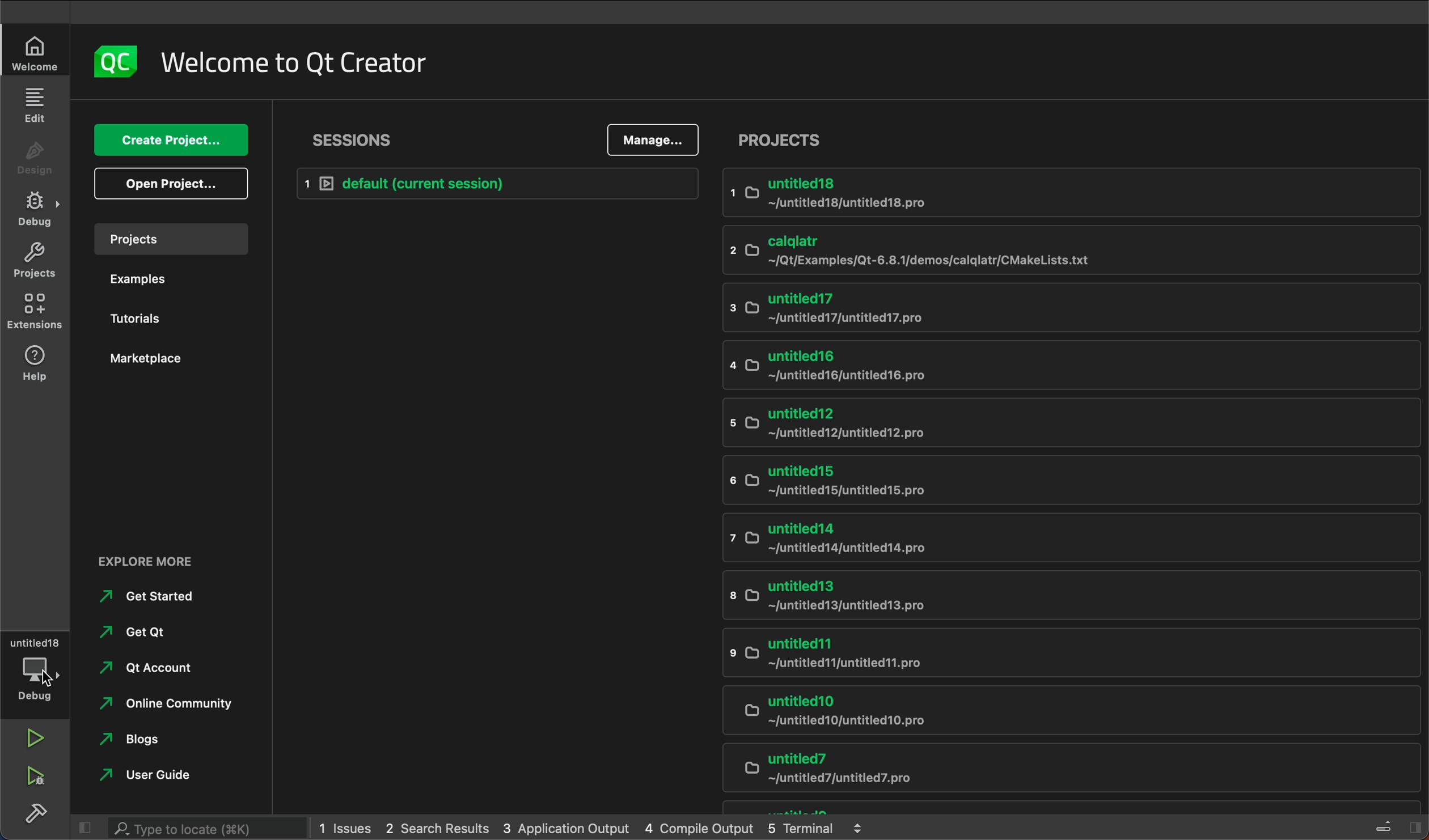 The width and height of the screenshot is (1429, 840). What do you see at coordinates (167, 185) in the screenshot?
I see `open` at bounding box center [167, 185].